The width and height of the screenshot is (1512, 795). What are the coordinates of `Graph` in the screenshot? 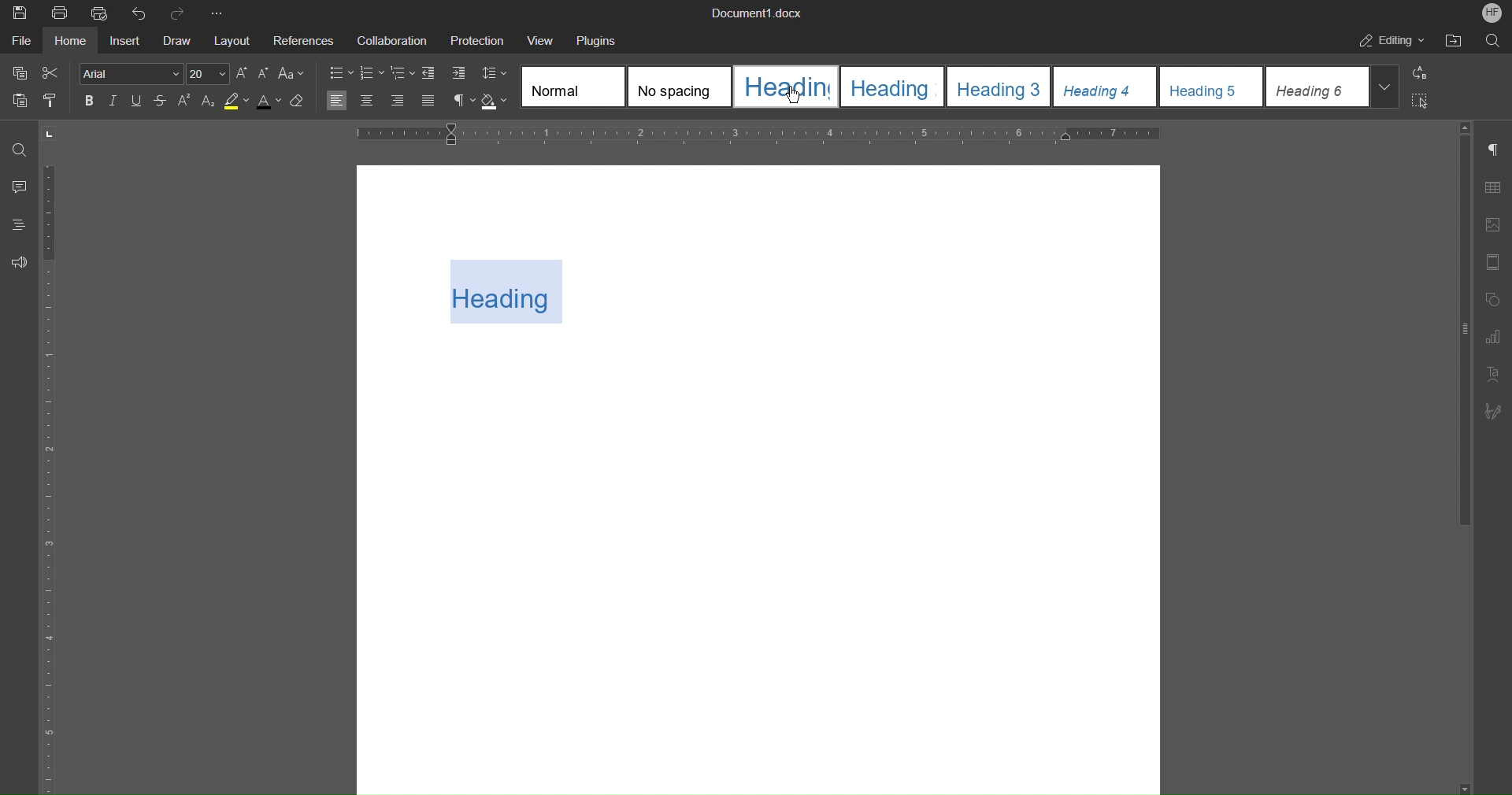 It's located at (1494, 334).